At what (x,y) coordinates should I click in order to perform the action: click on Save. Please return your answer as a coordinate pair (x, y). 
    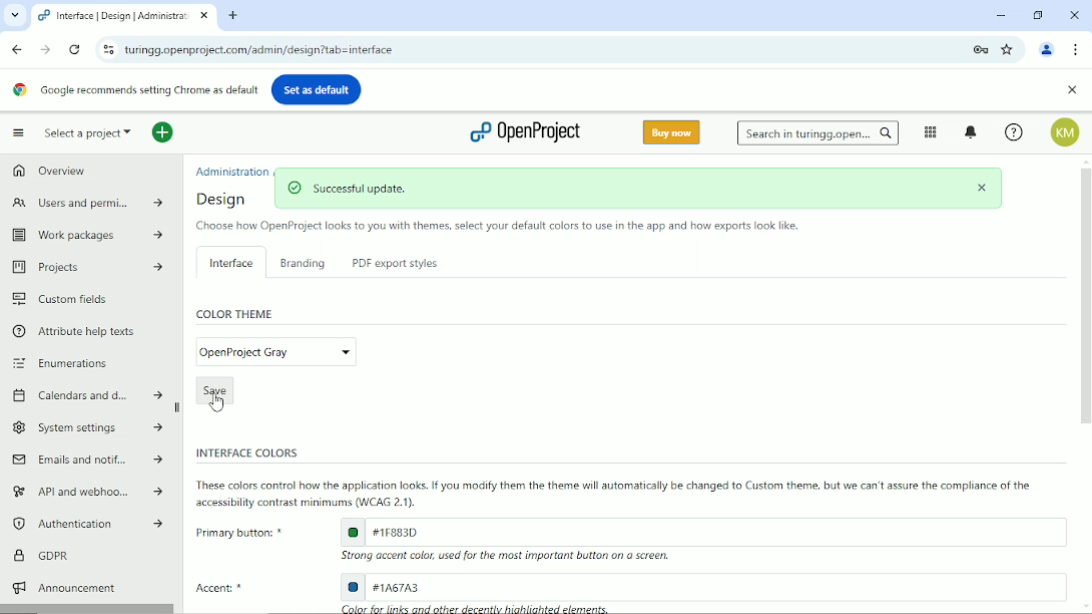
    Looking at the image, I should click on (214, 388).